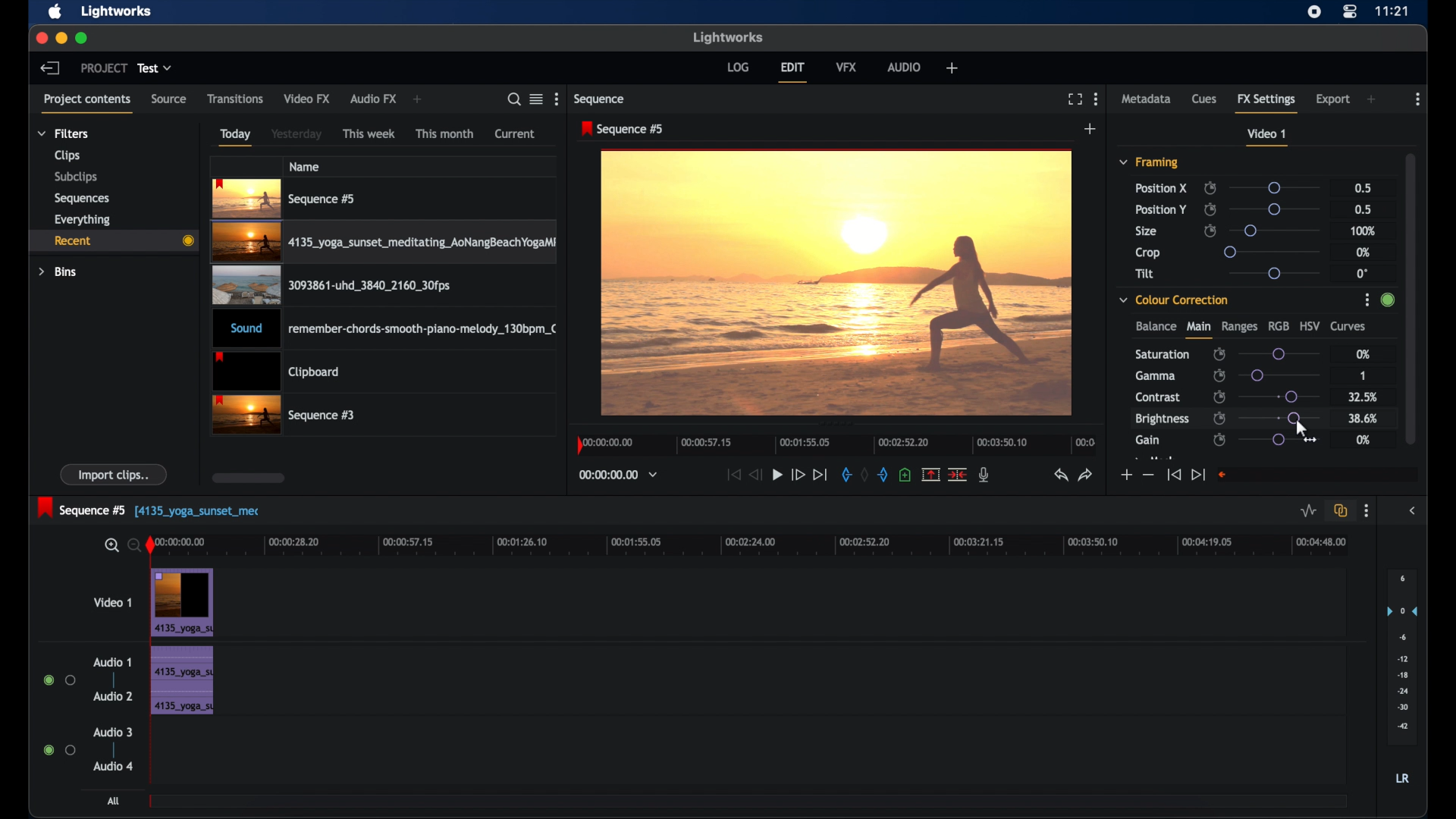  Describe the element at coordinates (1210, 188) in the screenshot. I see `enable/disable keyframes` at that location.